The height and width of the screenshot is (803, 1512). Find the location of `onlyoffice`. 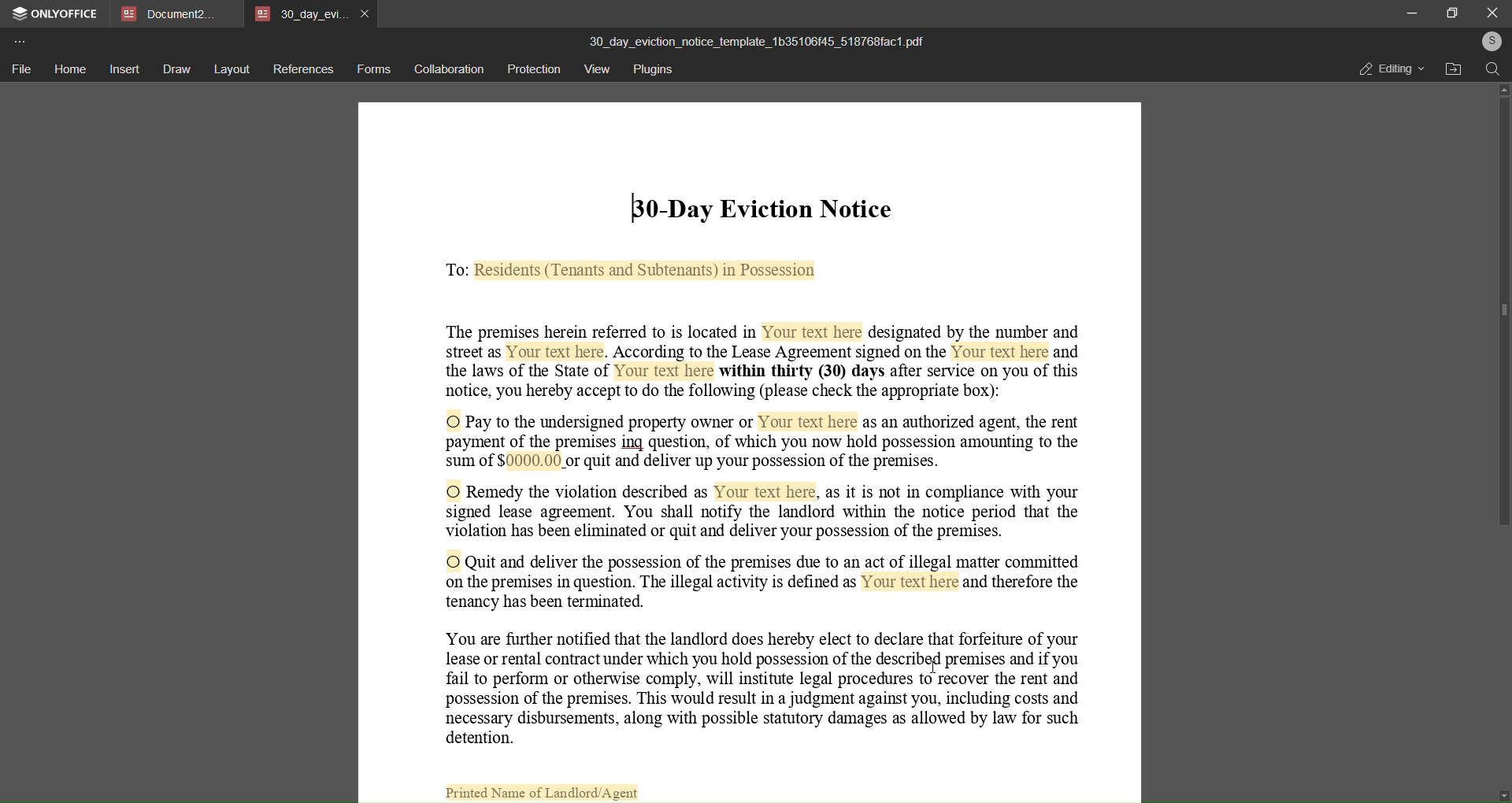

onlyoffice is located at coordinates (54, 13).